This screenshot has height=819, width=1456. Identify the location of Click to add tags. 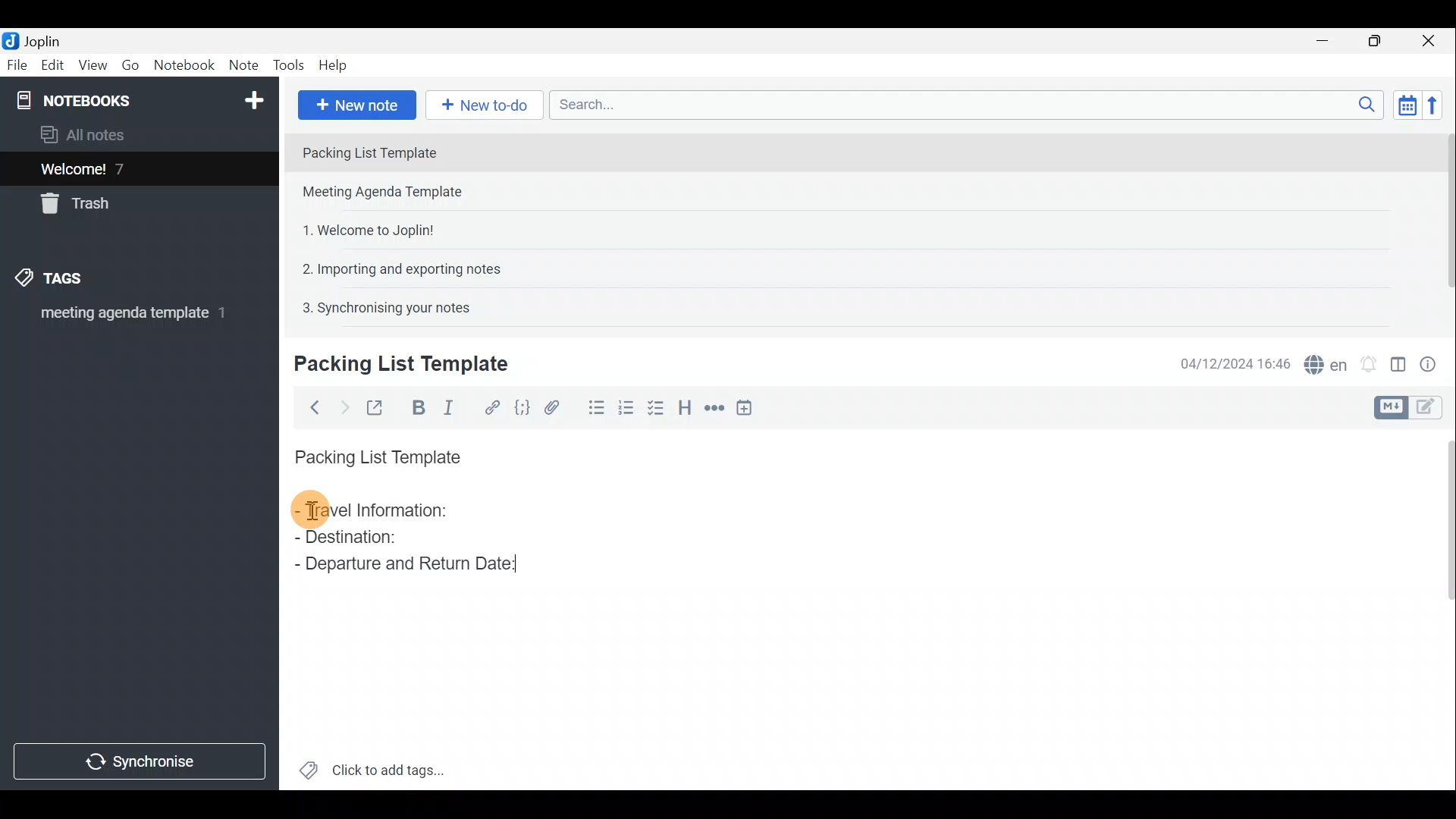
(372, 766).